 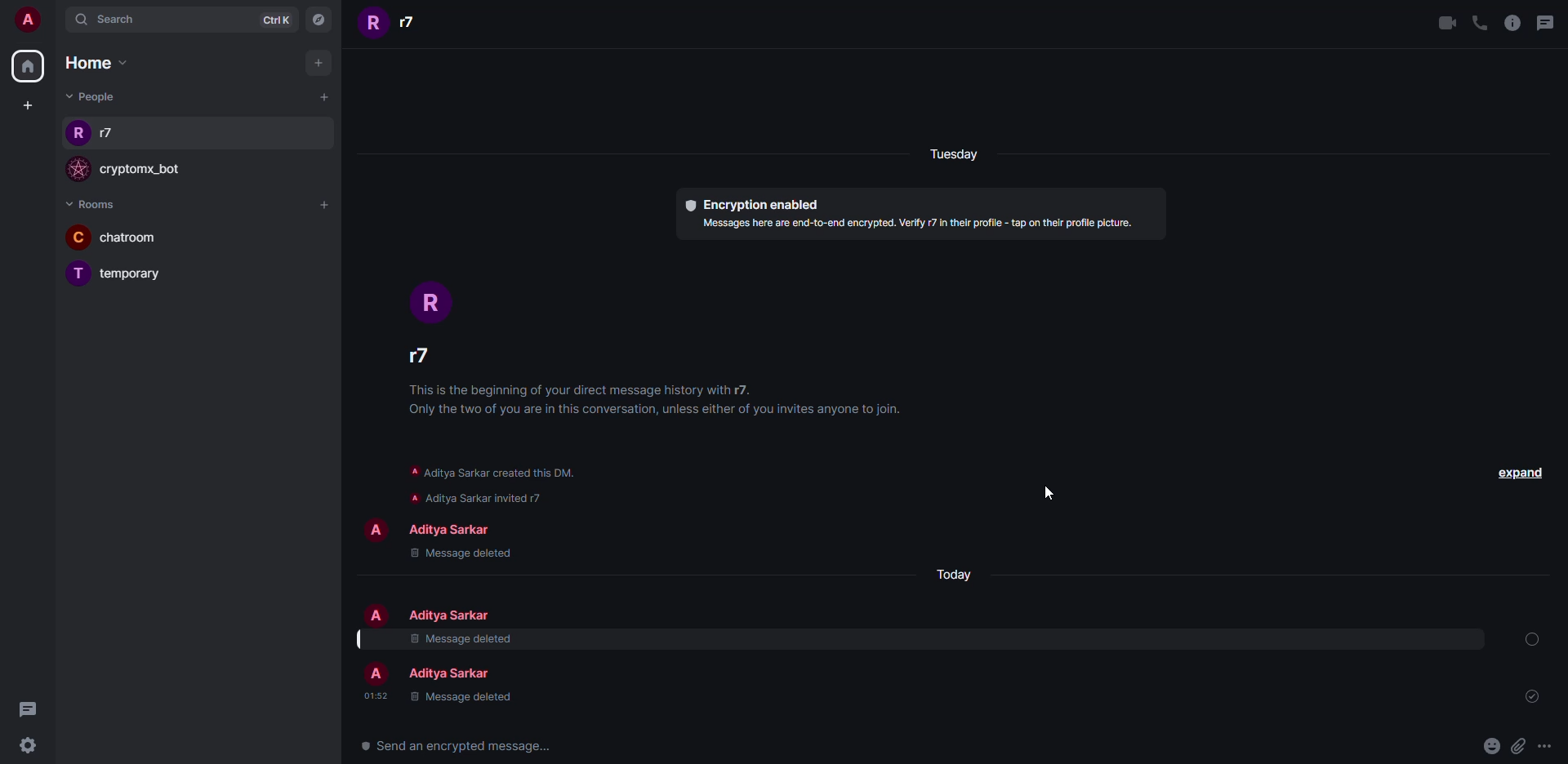 What do you see at coordinates (323, 95) in the screenshot?
I see `add` at bounding box center [323, 95].